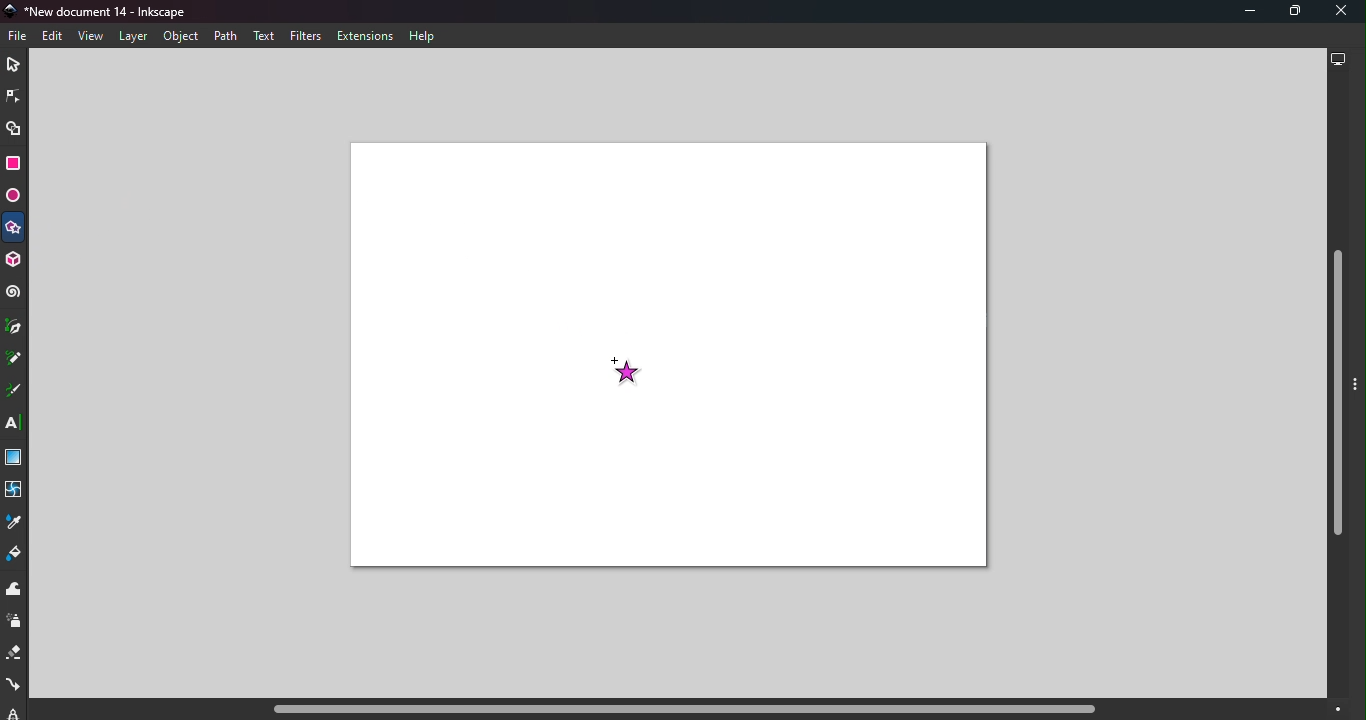 This screenshot has height=720, width=1366. What do you see at coordinates (669, 355) in the screenshot?
I see `Canvas` at bounding box center [669, 355].